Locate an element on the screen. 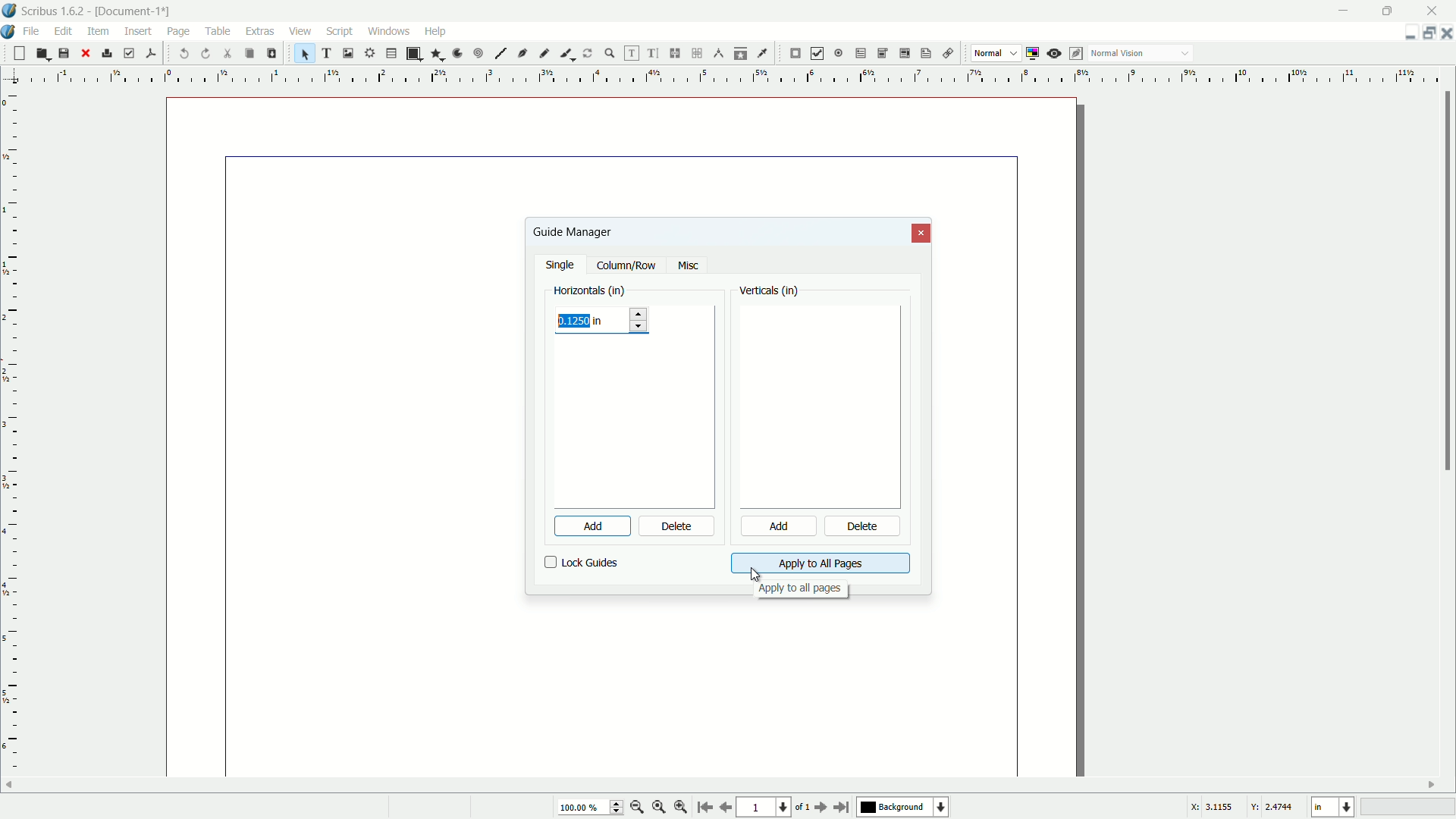 The height and width of the screenshot is (819, 1456). app name is located at coordinates (53, 12).